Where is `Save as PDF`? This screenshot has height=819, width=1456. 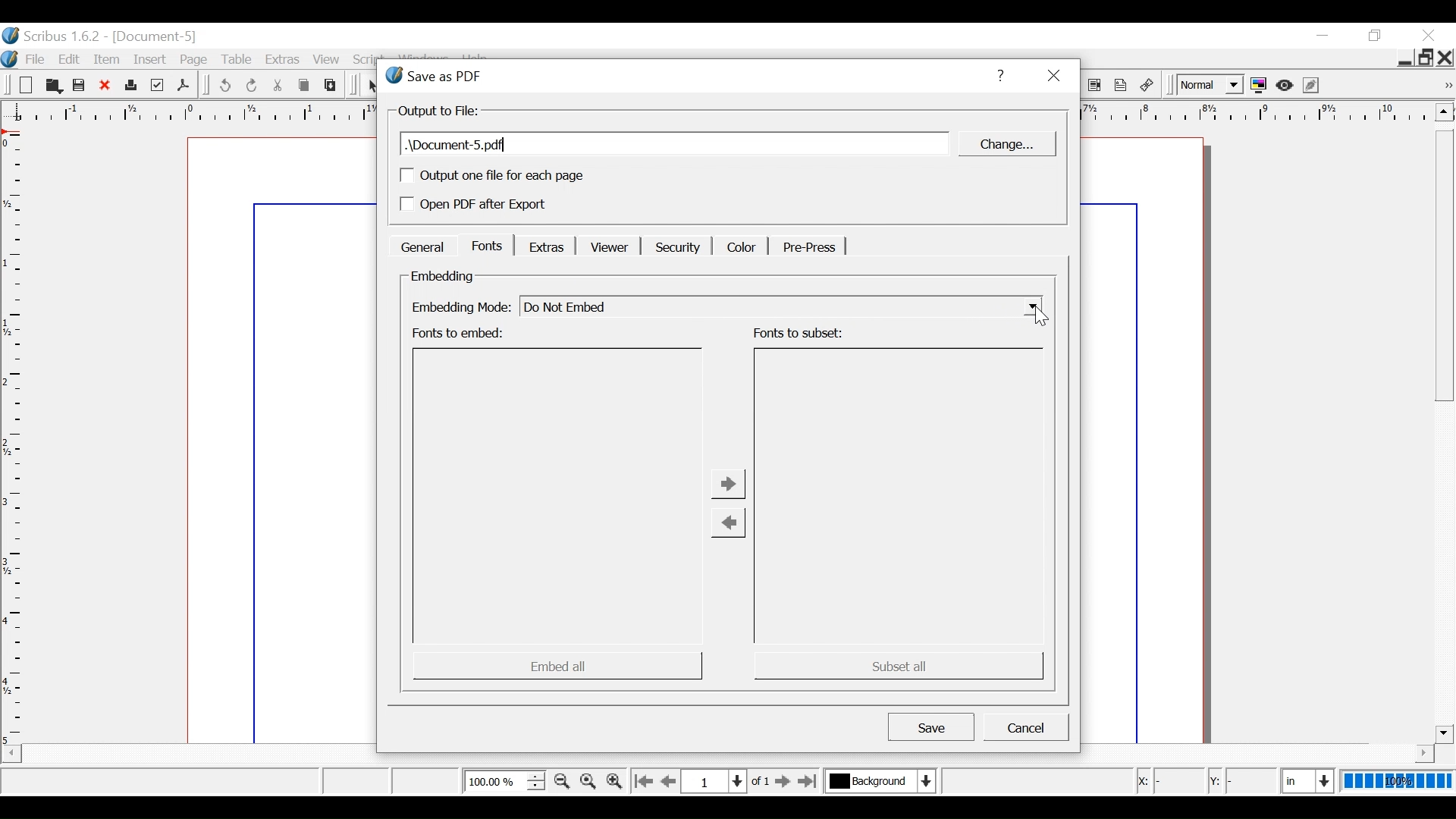
Save as PDF is located at coordinates (183, 85).